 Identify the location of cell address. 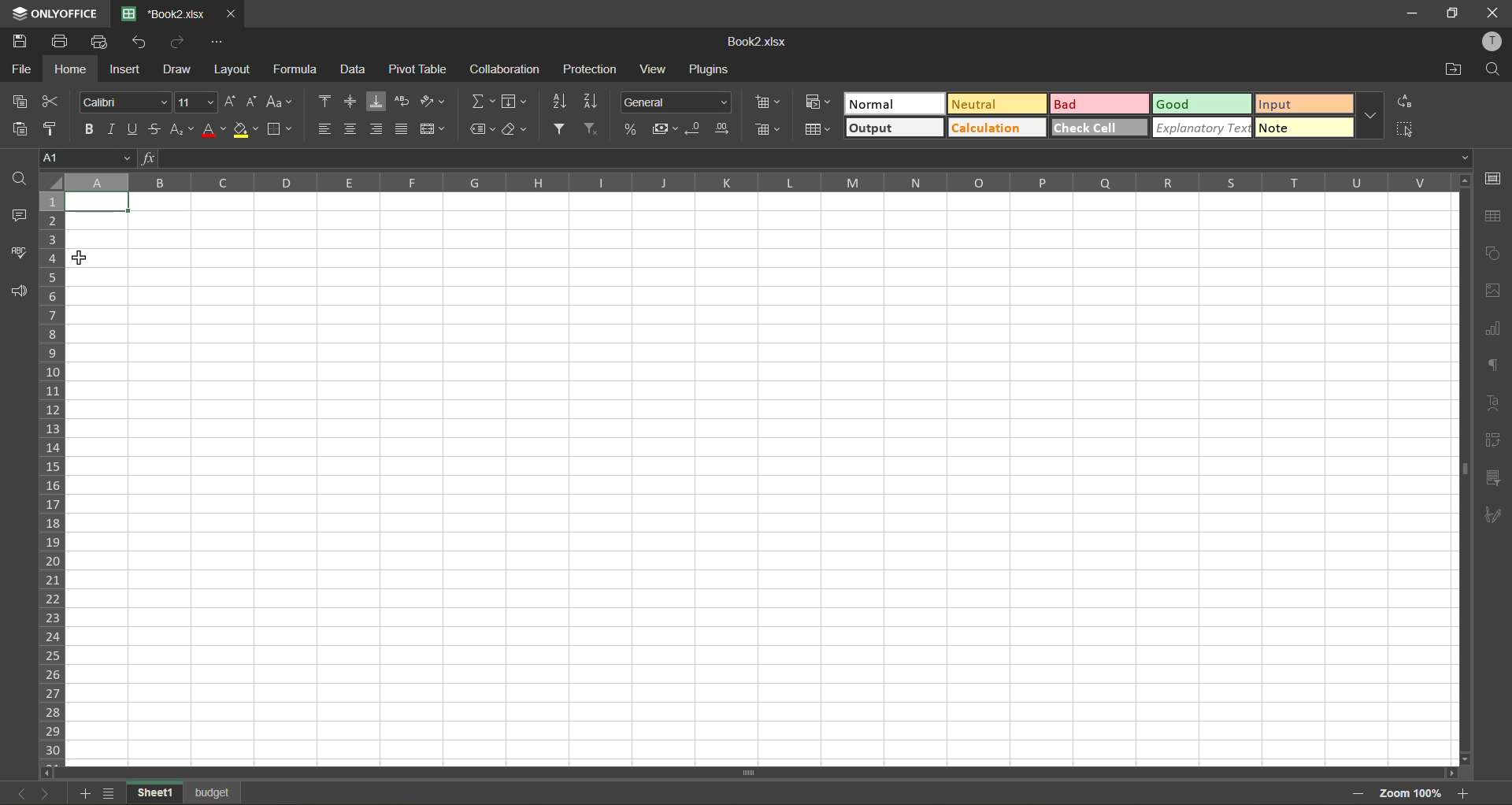
(85, 158).